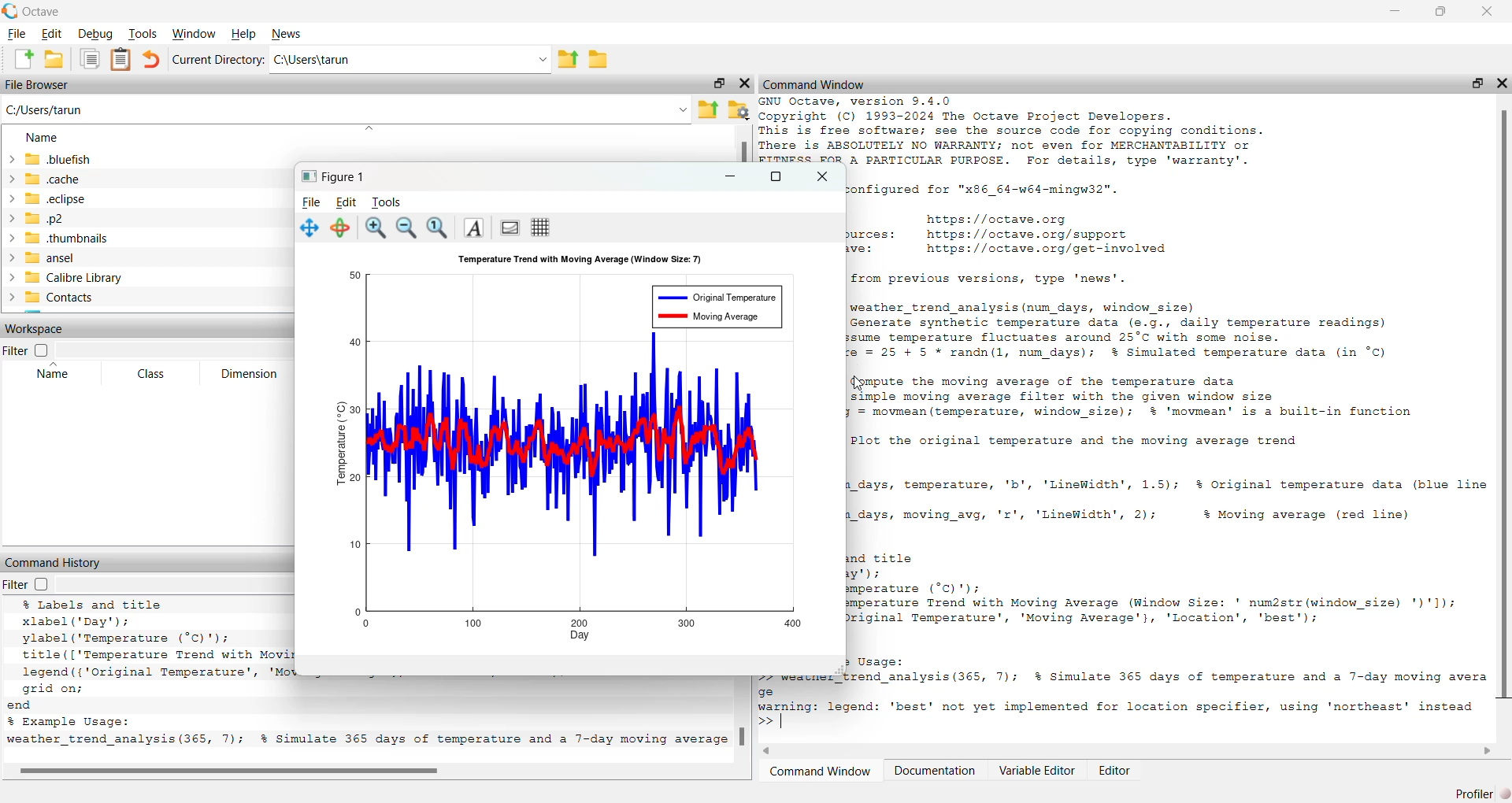 This screenshot has height=803, width=1512. I want to click on .thubnails, so click(57, 238).